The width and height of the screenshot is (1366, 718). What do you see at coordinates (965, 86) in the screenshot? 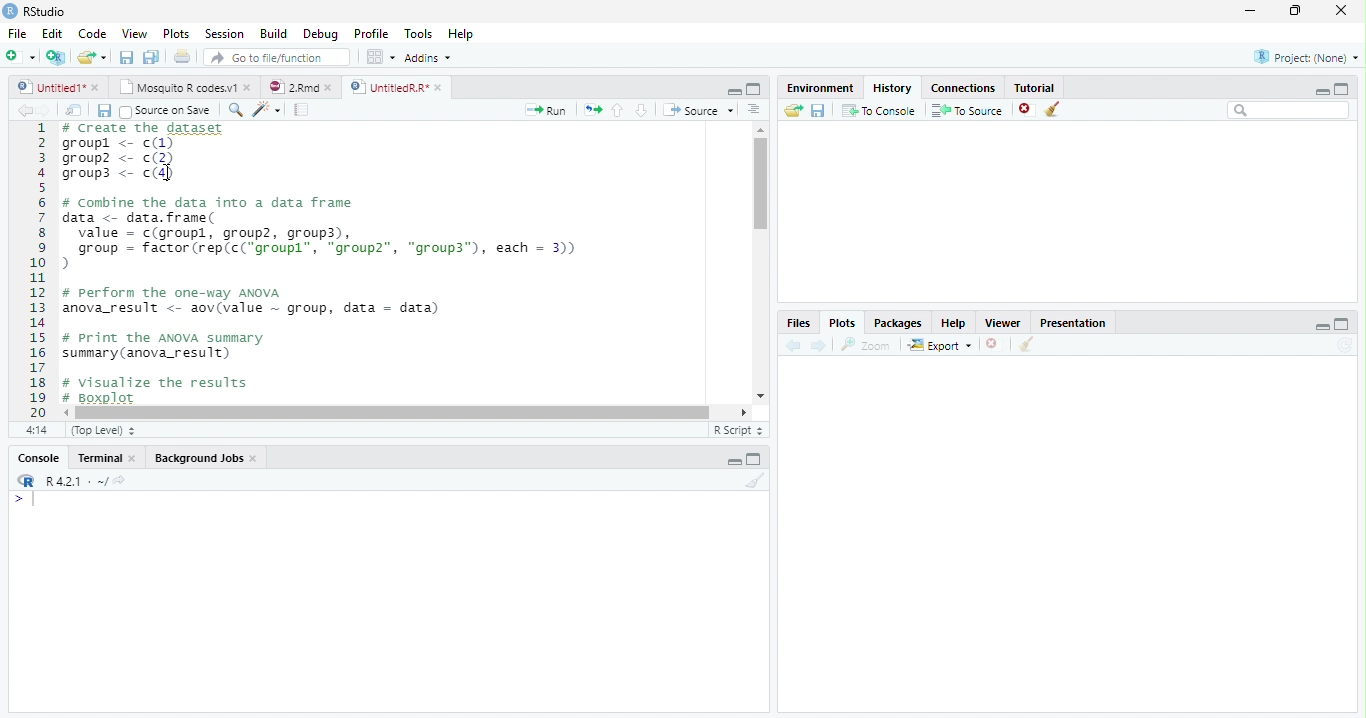
I see `Connections` at bounding box center [965, 86].